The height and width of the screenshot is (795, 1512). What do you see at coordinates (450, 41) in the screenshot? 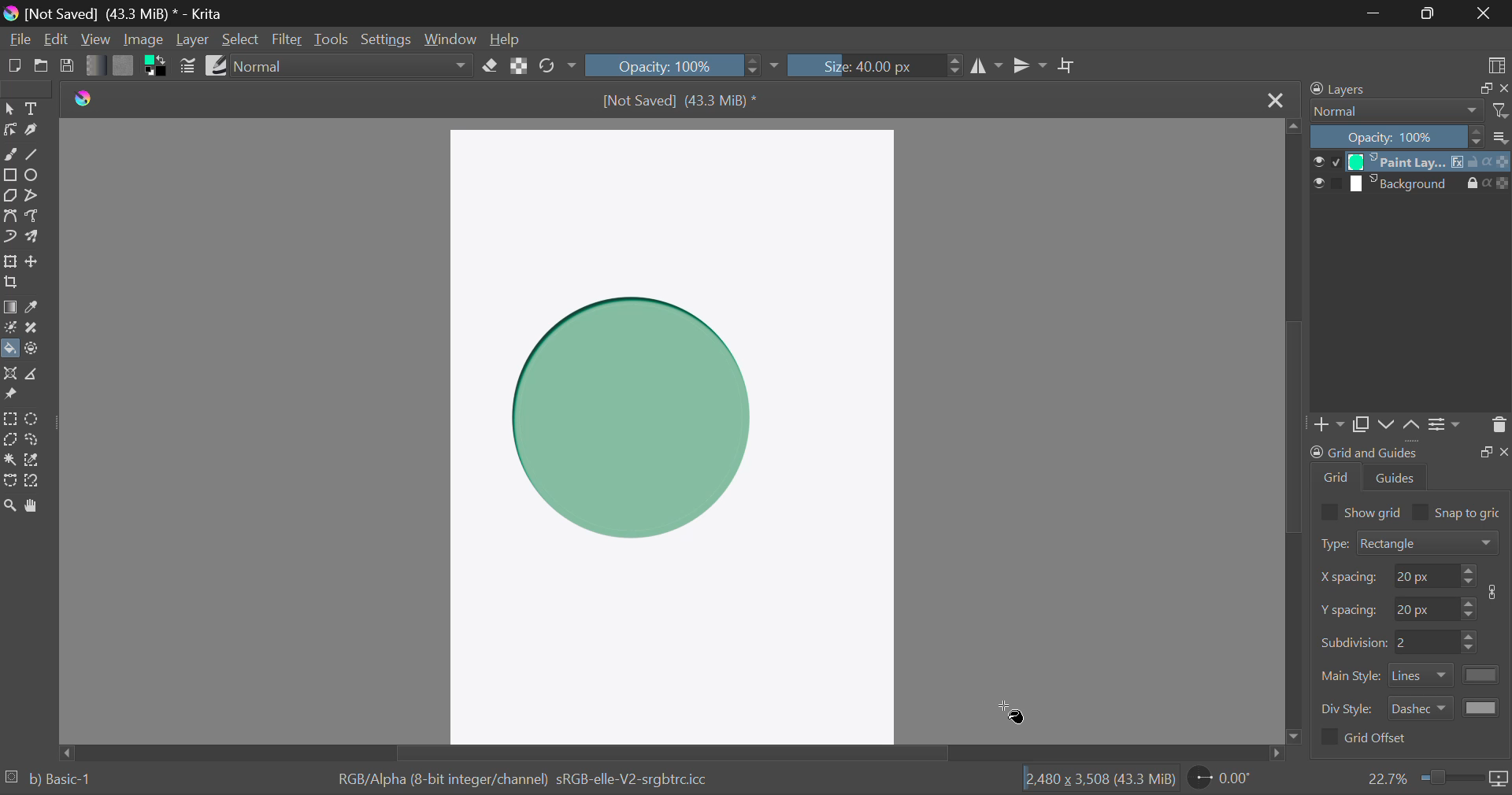
I see `Window` at bounding box center [450, 41].